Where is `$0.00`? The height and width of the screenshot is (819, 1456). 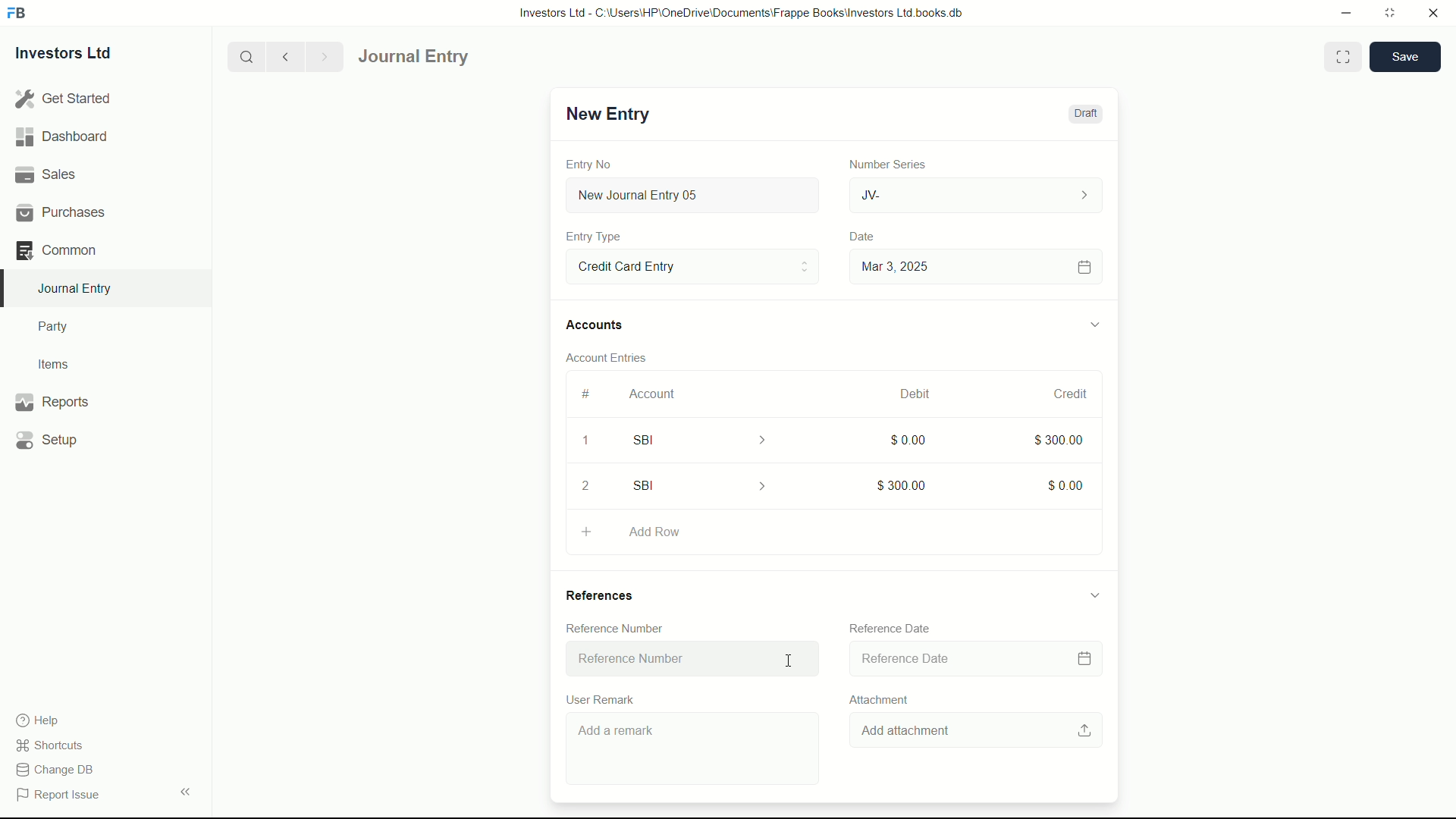
$0.00 is located at coordinates (1064, 484).